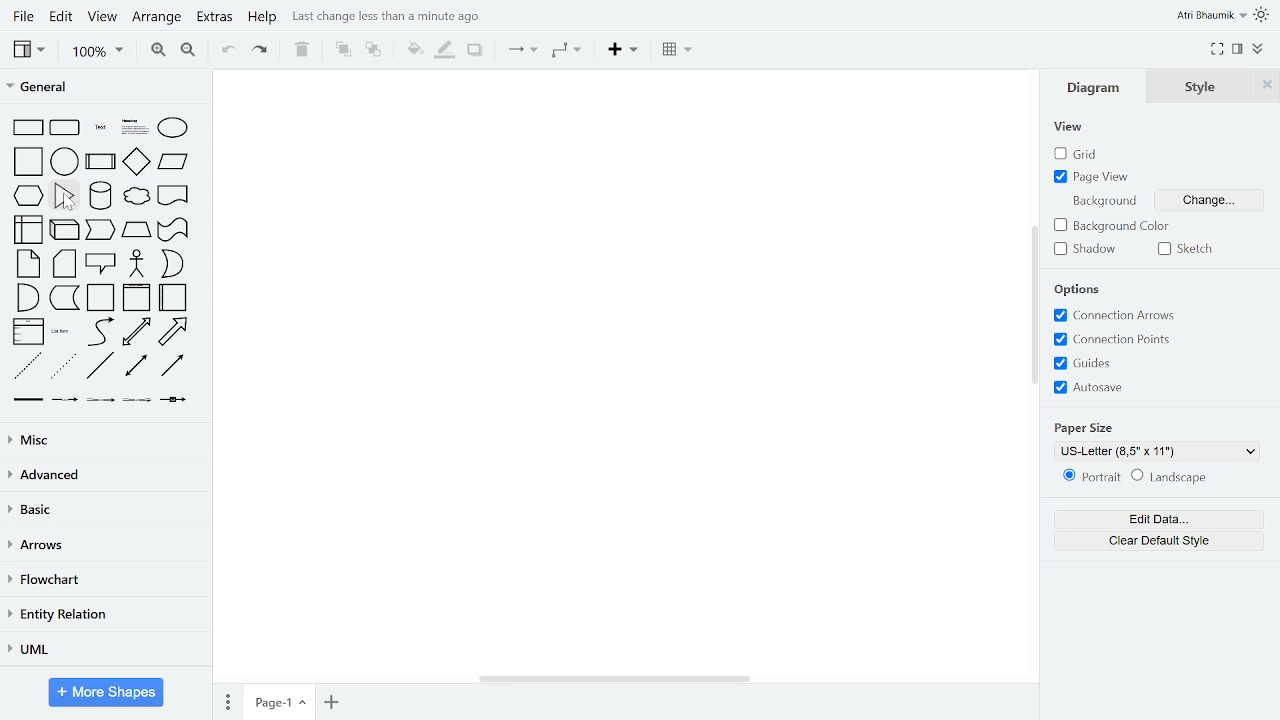 The image size is (1280, 720). I want to click on add page, so click(330, 700).